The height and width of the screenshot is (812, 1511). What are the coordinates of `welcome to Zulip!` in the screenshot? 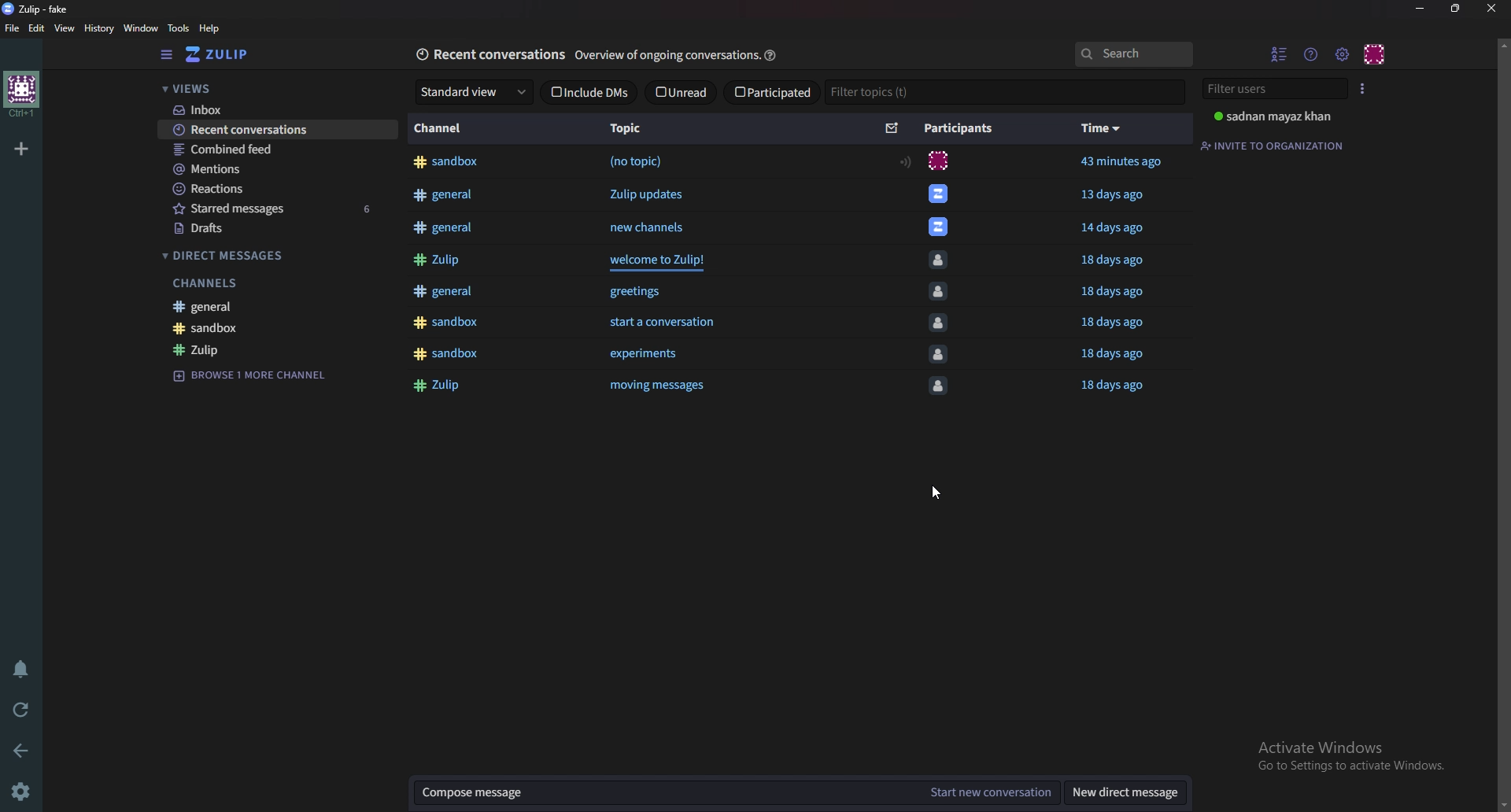 It's located at (667, 264).